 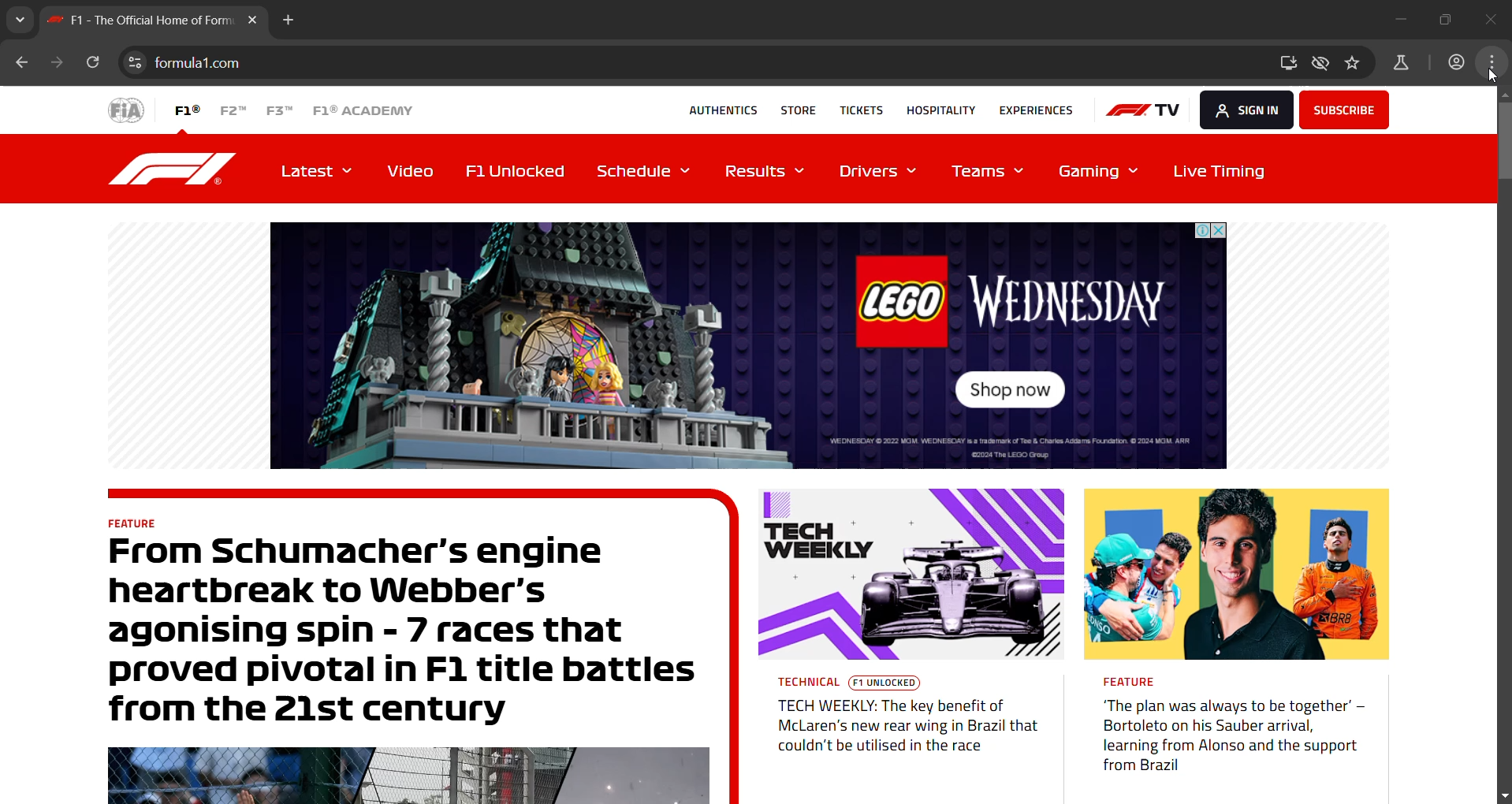 I want to click on search tabs, so click(x=19, y=17).